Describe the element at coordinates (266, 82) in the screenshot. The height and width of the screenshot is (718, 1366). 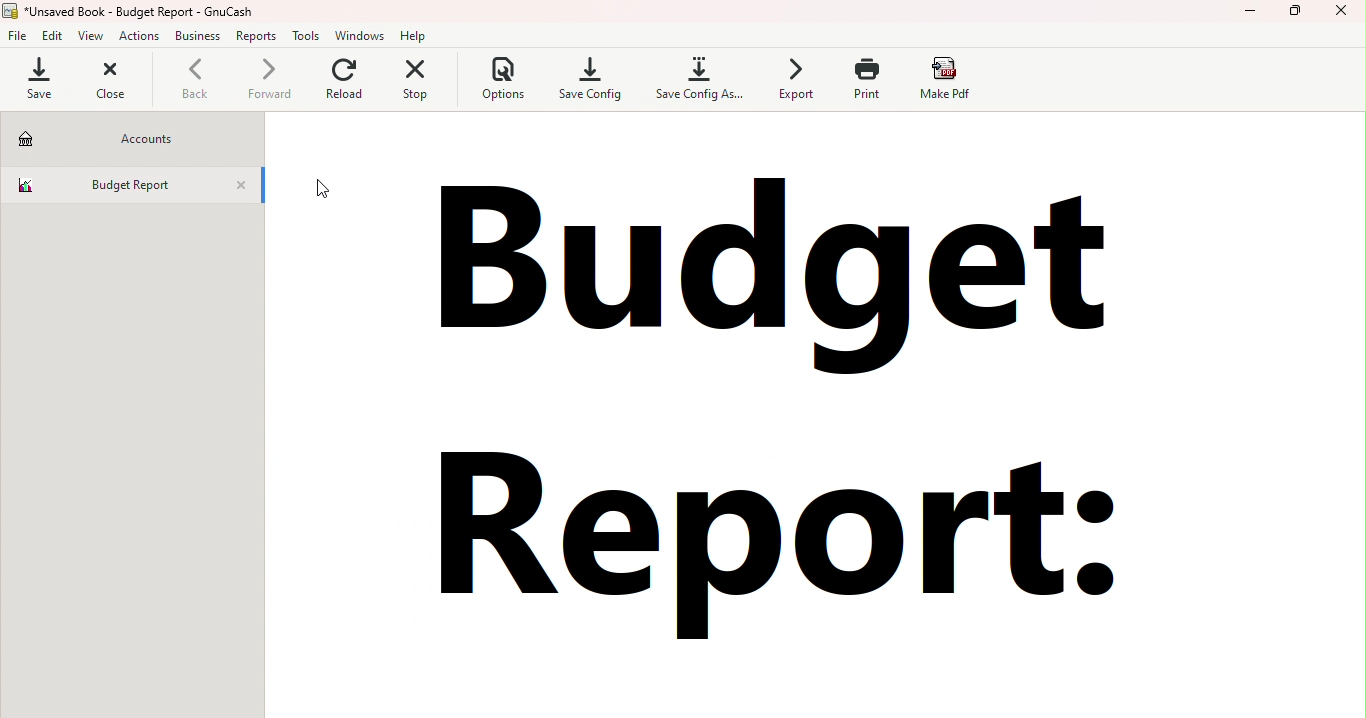
I see `Forward` at that location.